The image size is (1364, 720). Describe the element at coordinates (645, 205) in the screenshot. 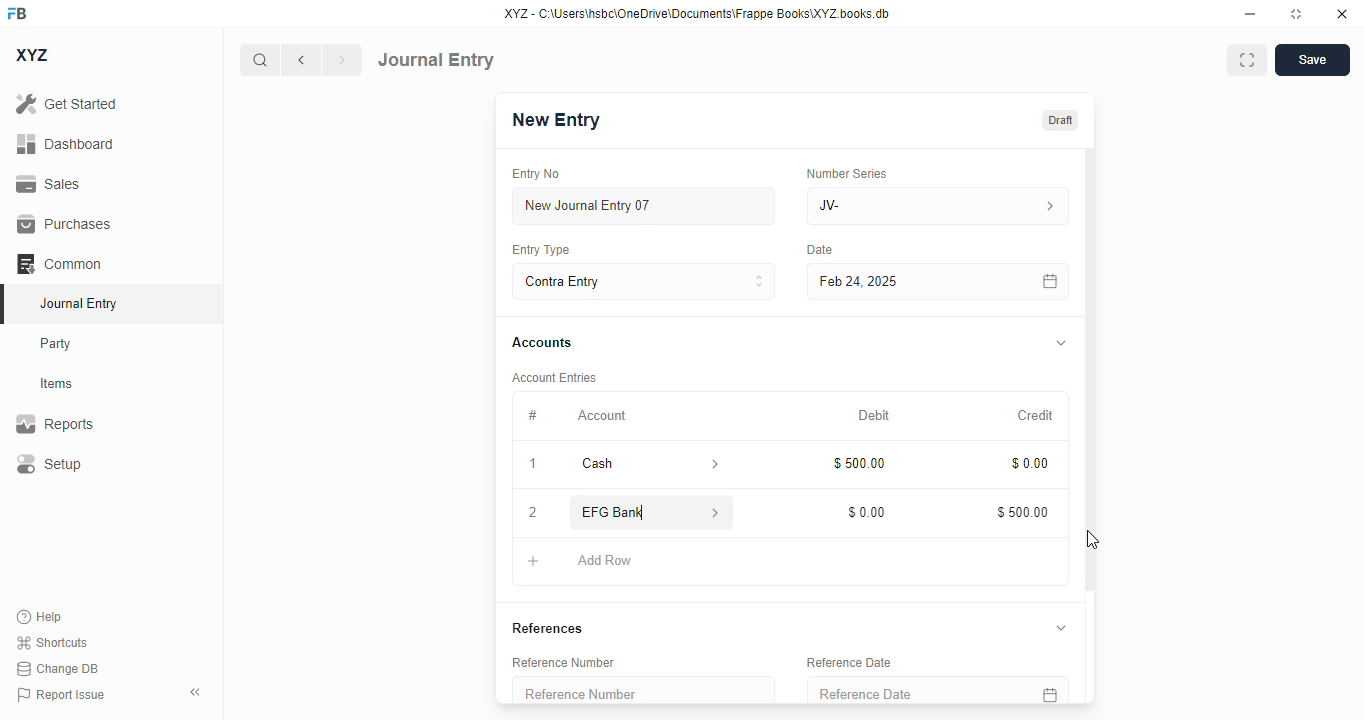

I see `new journal entry 07` at that location.